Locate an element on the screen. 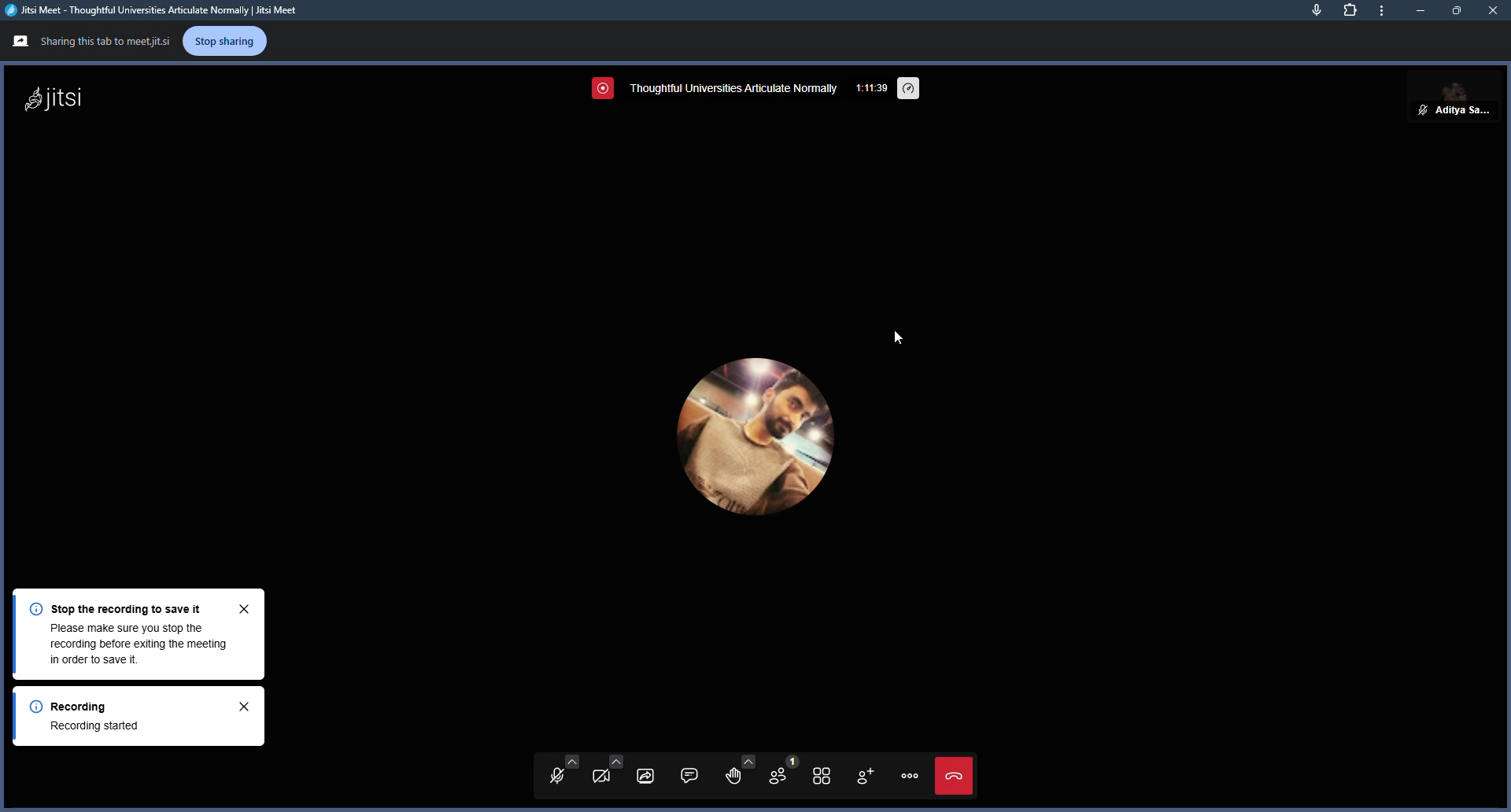 The image size is (1511, 812). Recording Recording started is located at coordinates (100, 718).